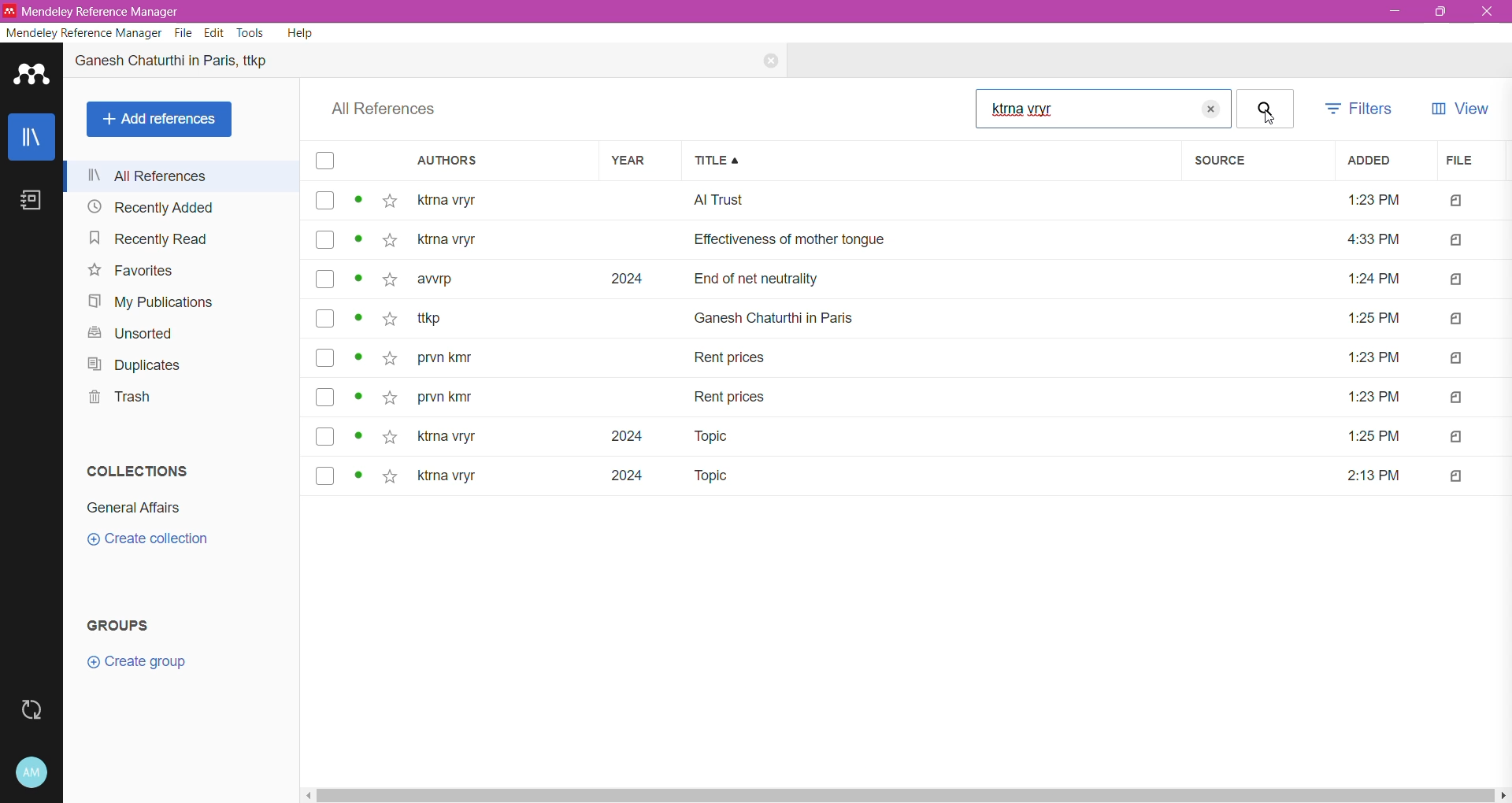 Image resolution: width=1512 pixels, height=803 pixels. What do you see at coordinates (324, 317) in the screenshot?
I see `select reference ` at bounding box center [324, 317].